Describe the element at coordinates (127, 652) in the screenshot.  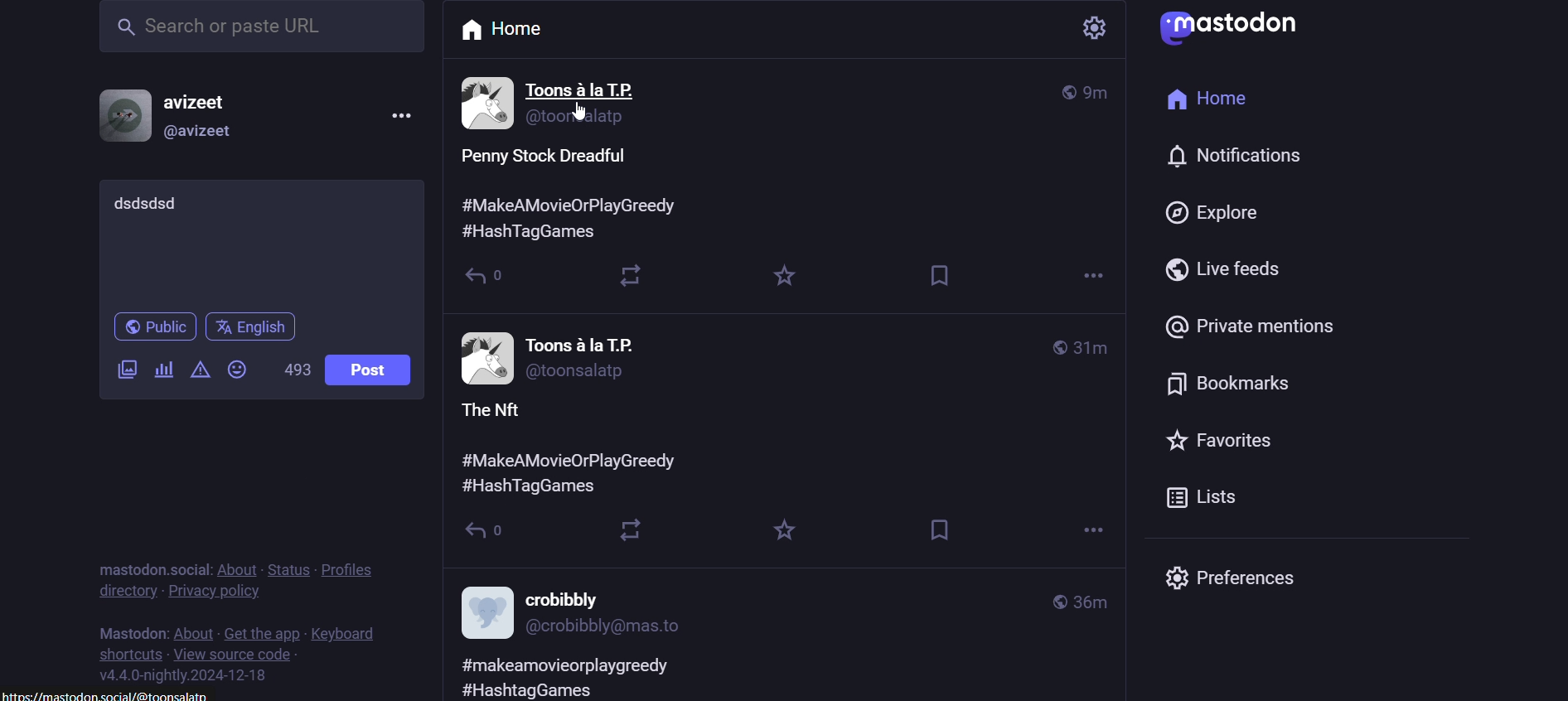
I see `shortcuts` at that location.